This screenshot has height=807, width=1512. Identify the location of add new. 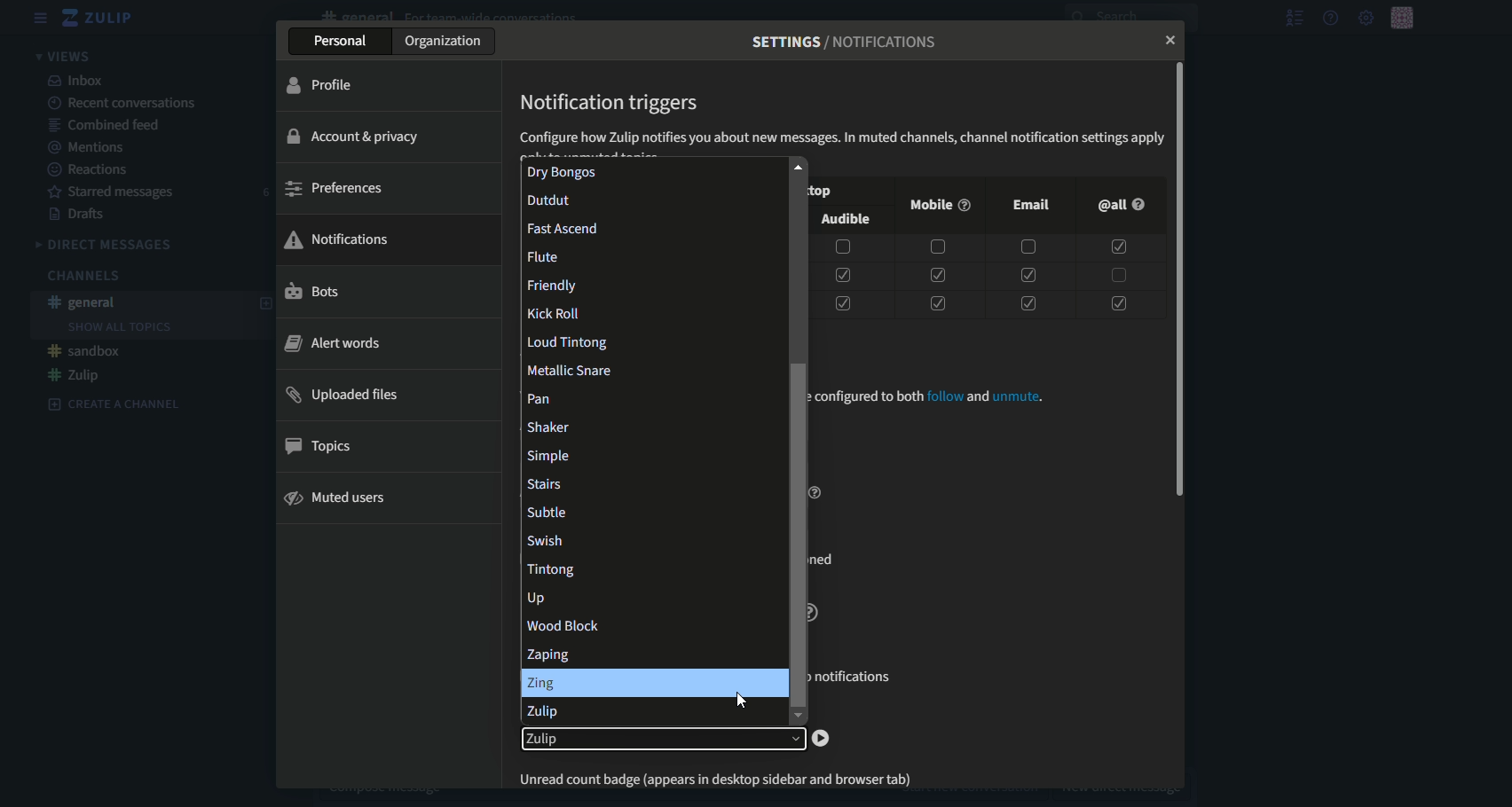
(264, 306).